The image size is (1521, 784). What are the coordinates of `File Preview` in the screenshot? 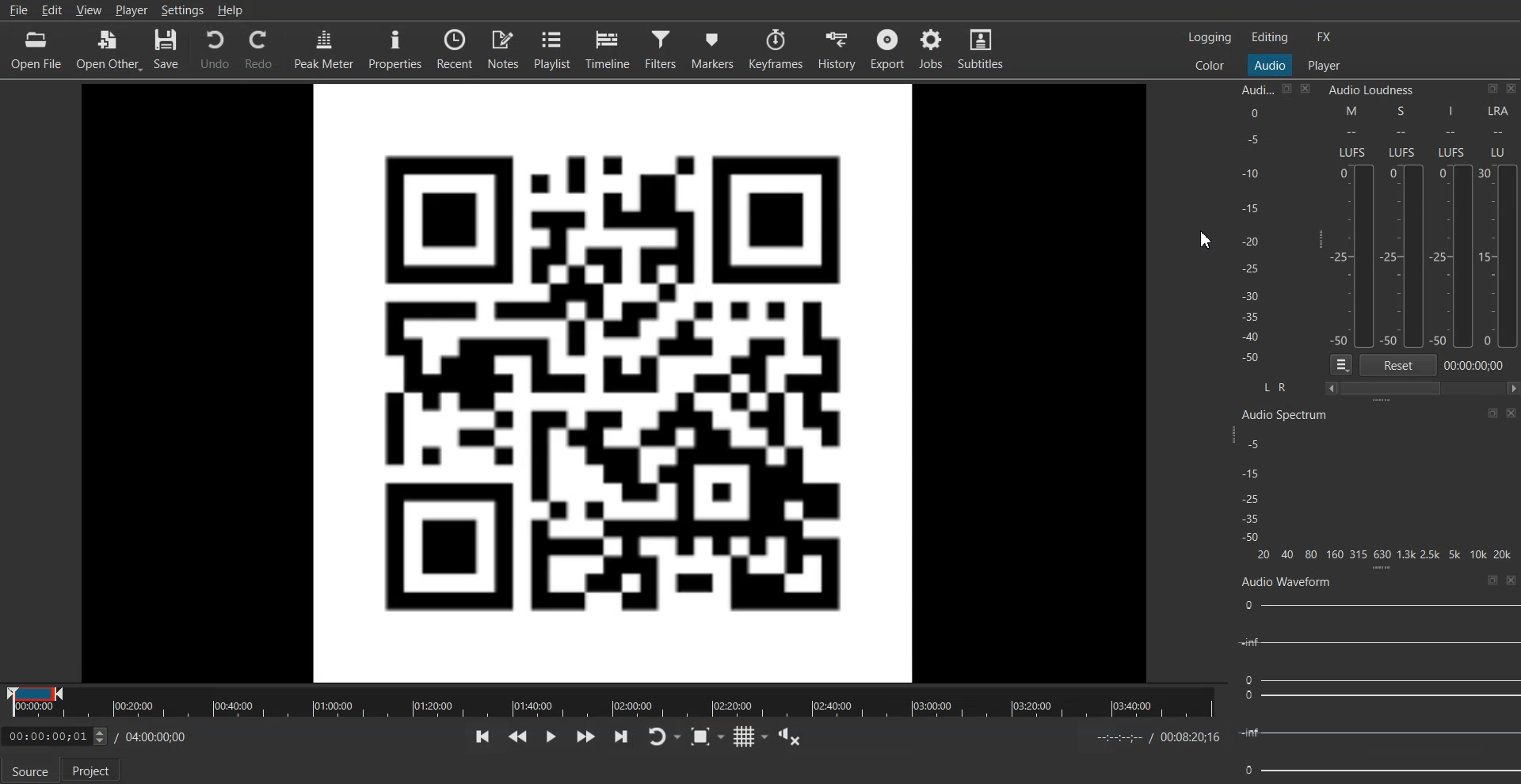 It's located at (614, 380).